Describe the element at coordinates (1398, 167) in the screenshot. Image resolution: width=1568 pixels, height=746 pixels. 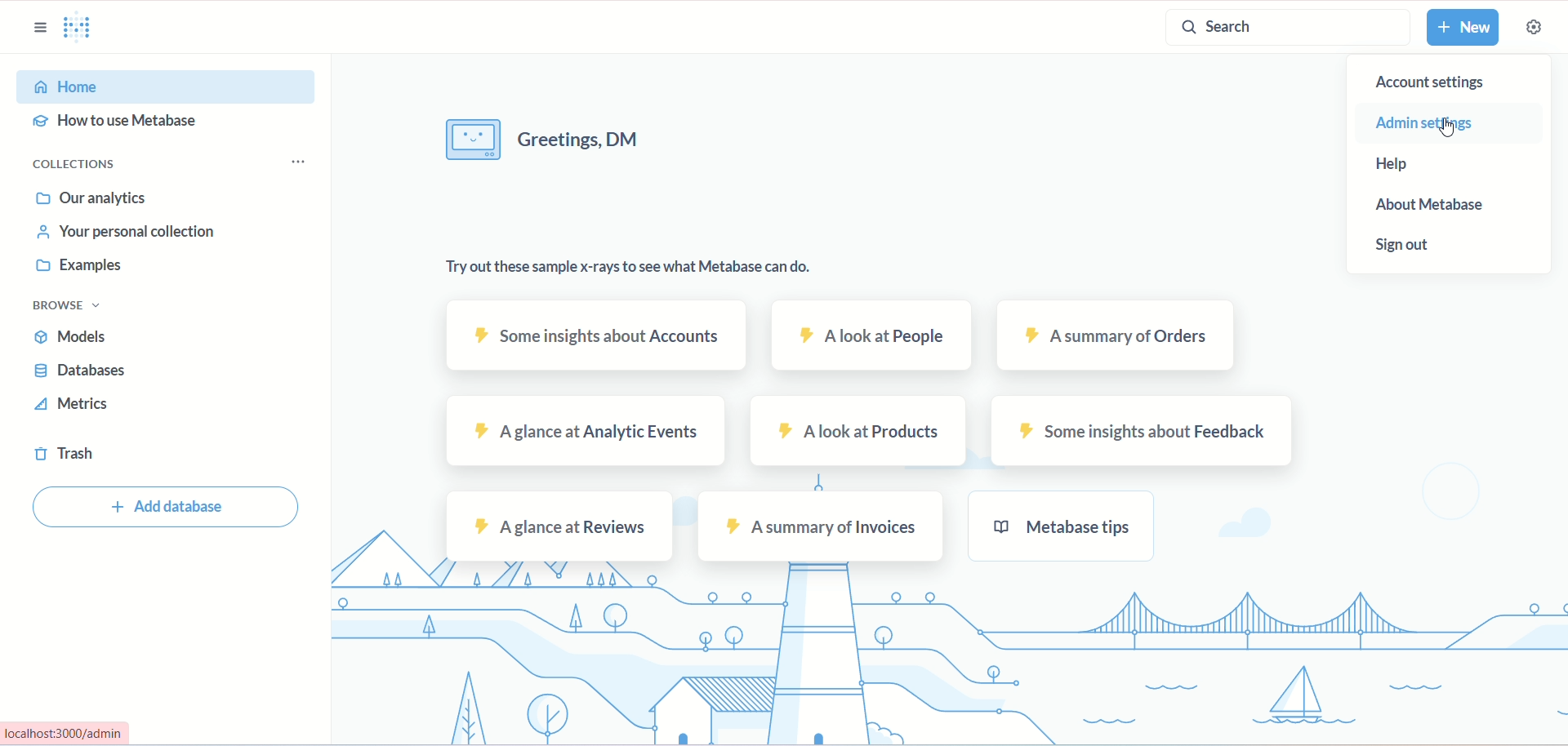
I see `help` at that location.